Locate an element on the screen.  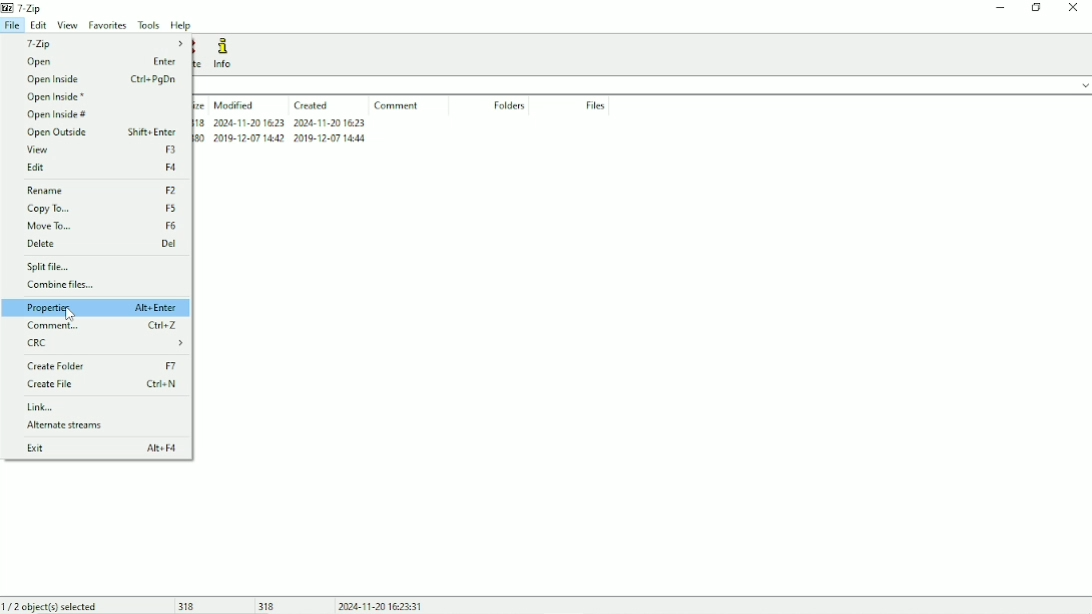
Properties is located at coordinates (97, 308).